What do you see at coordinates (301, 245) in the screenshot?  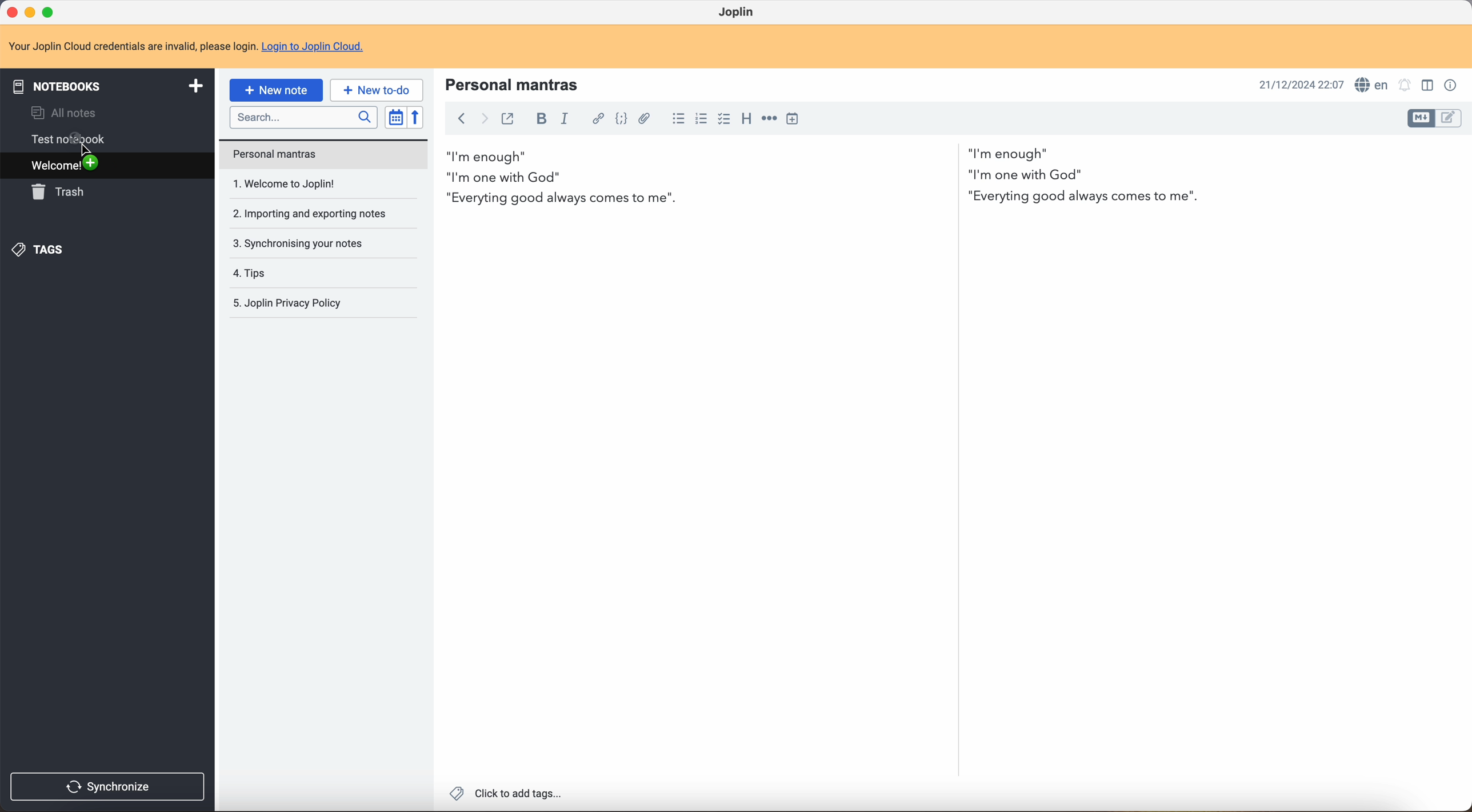 I see `synchronising your notes` at bounding box center [301, 245].